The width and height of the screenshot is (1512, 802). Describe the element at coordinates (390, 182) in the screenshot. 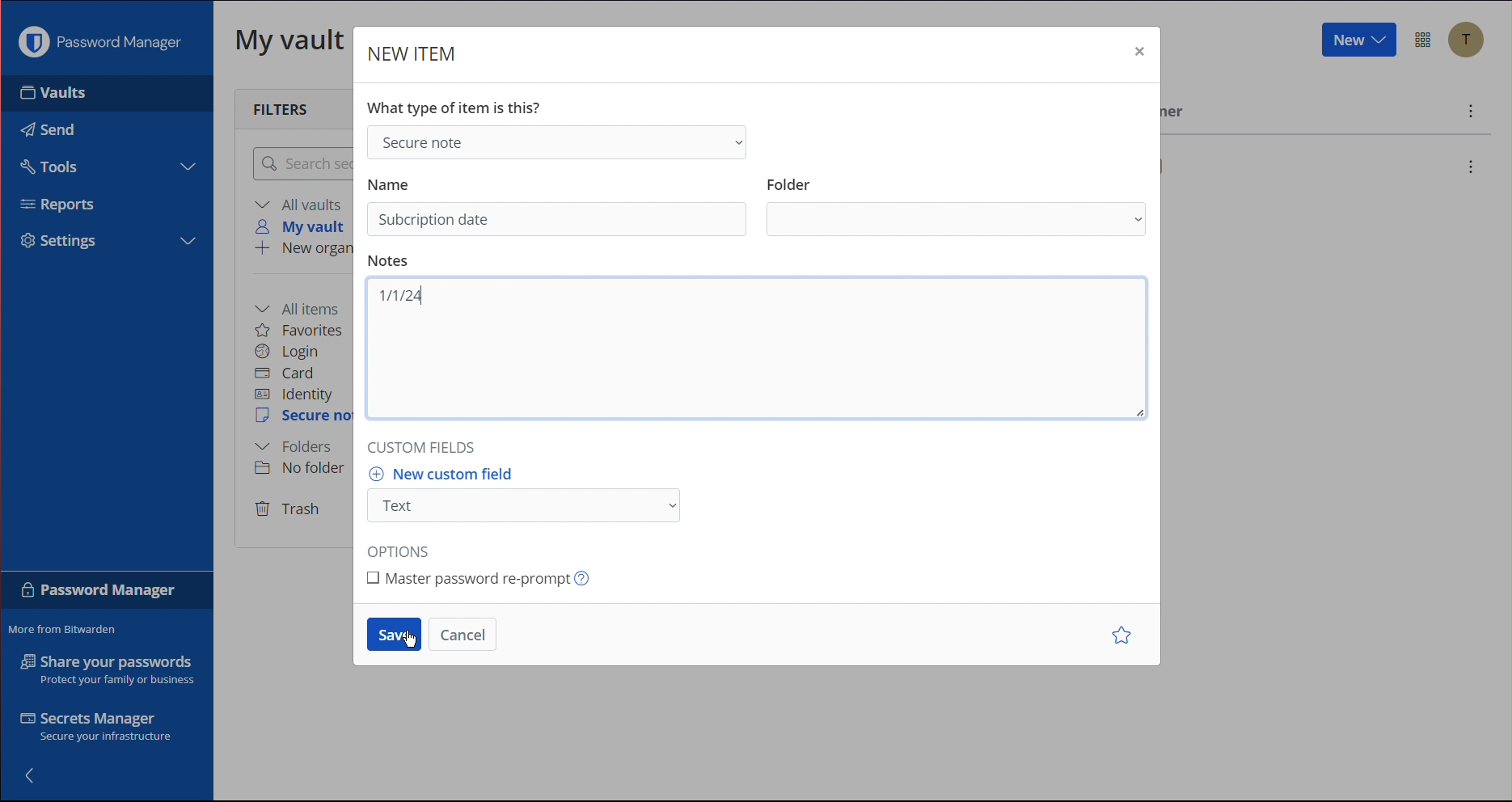

I see `Name` at that location.